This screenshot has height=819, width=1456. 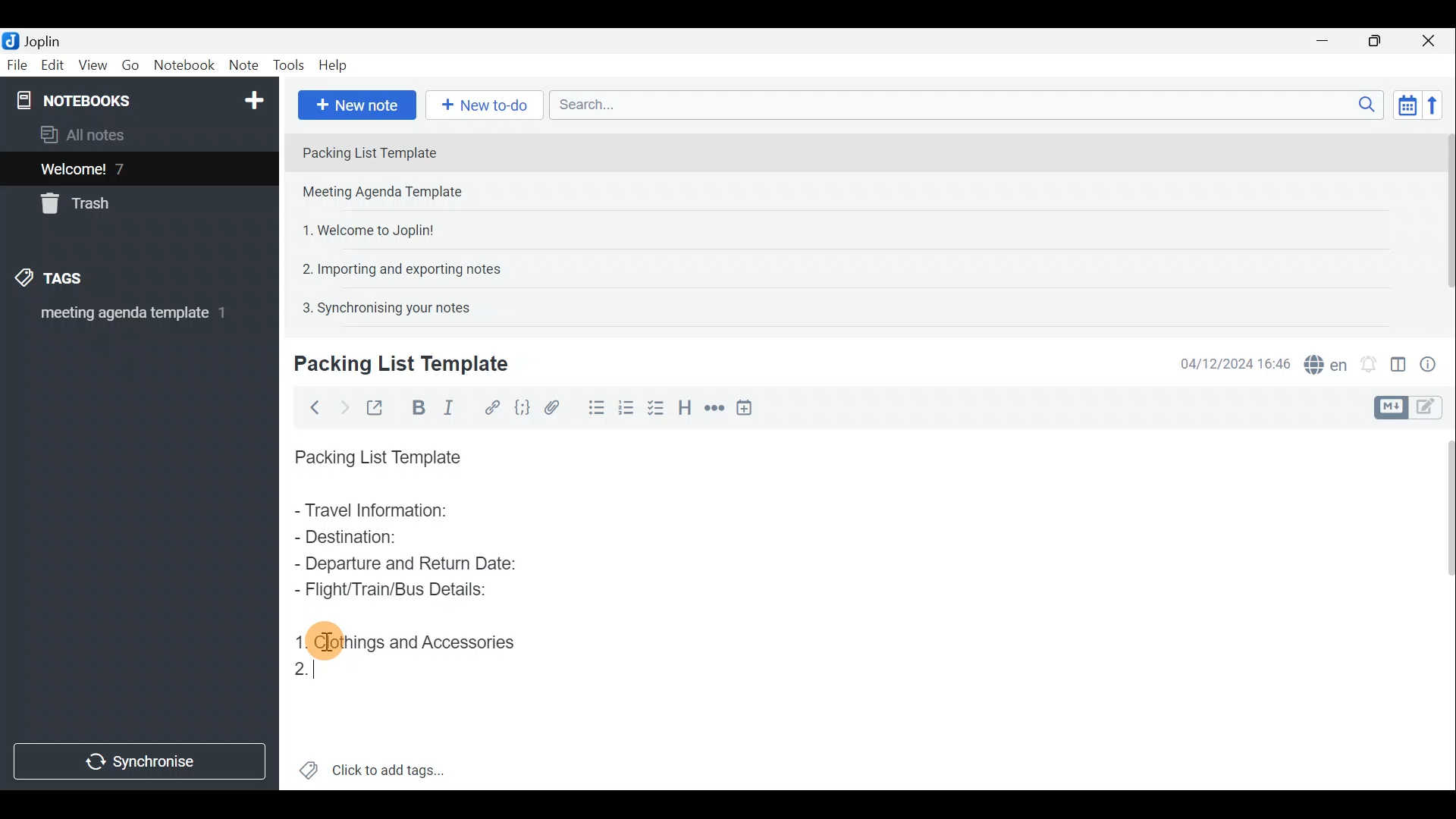 What do you see at coordinates (341, 406) in the screenshot?
I see `Forward` at bounding box center [341, 406].